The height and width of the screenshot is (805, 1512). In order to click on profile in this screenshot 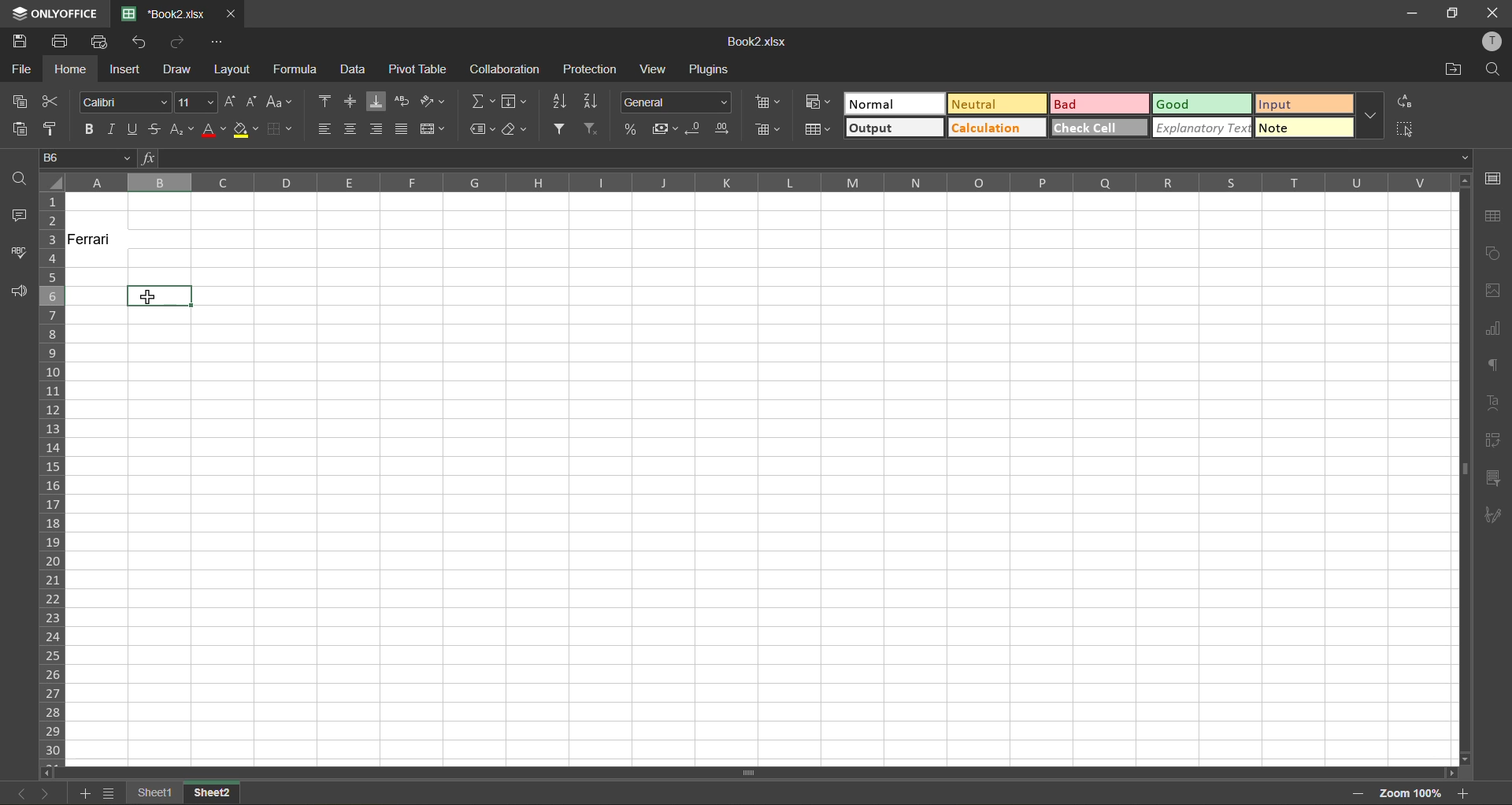, I will do `click(1490, 42)`.